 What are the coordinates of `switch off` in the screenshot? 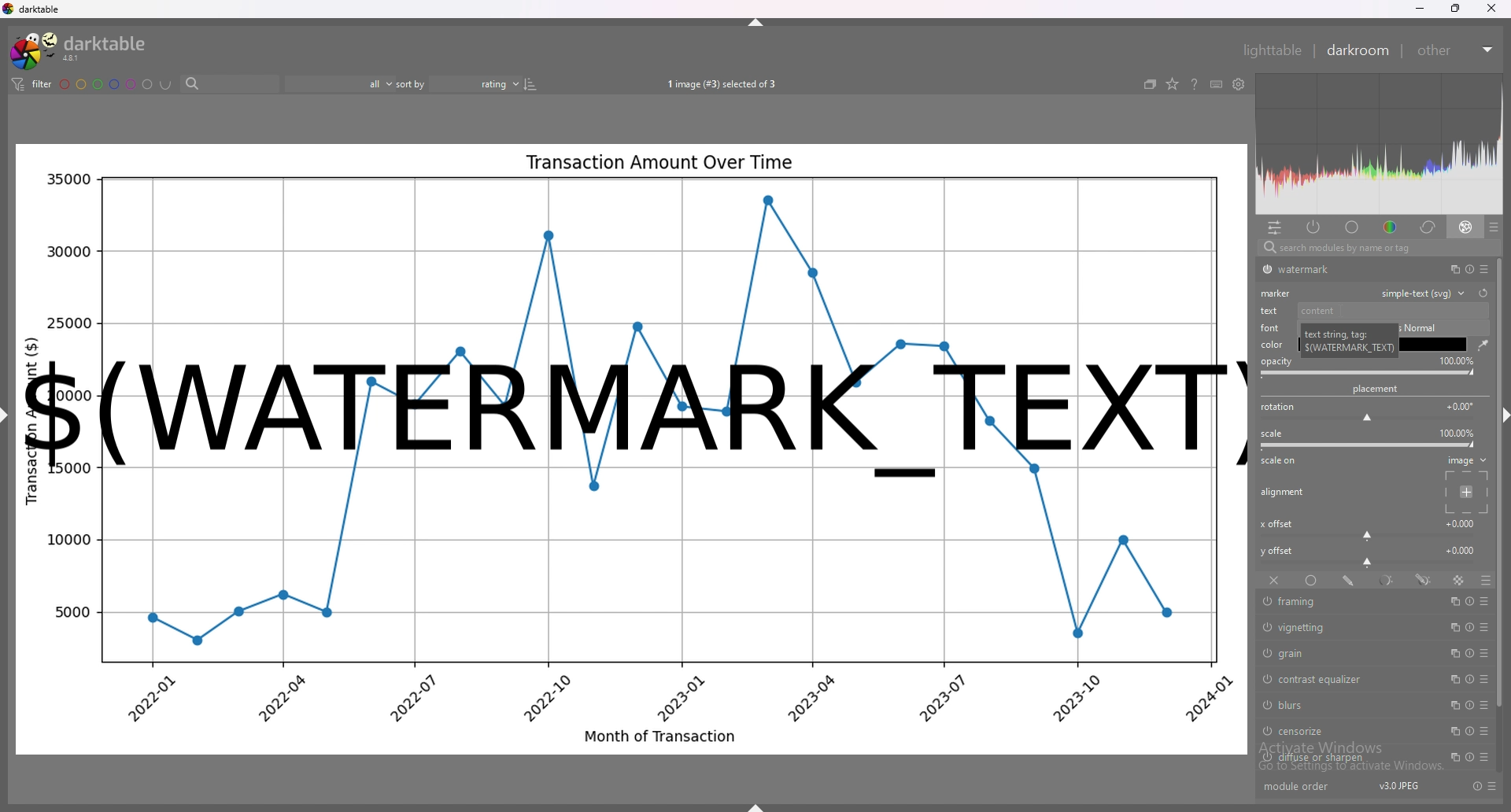 It's located at (1266, 603).